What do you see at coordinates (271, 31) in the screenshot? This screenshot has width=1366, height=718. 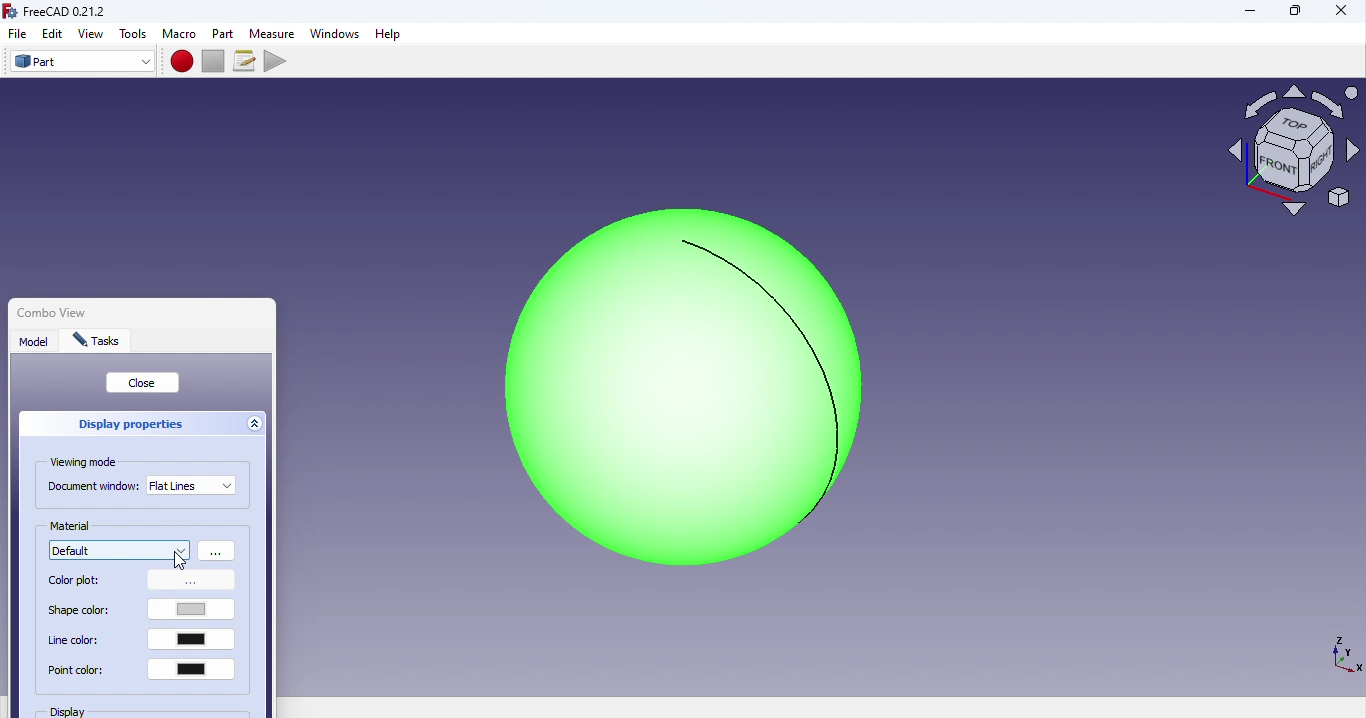 I see `Measure` at bounding box center [271, 31].